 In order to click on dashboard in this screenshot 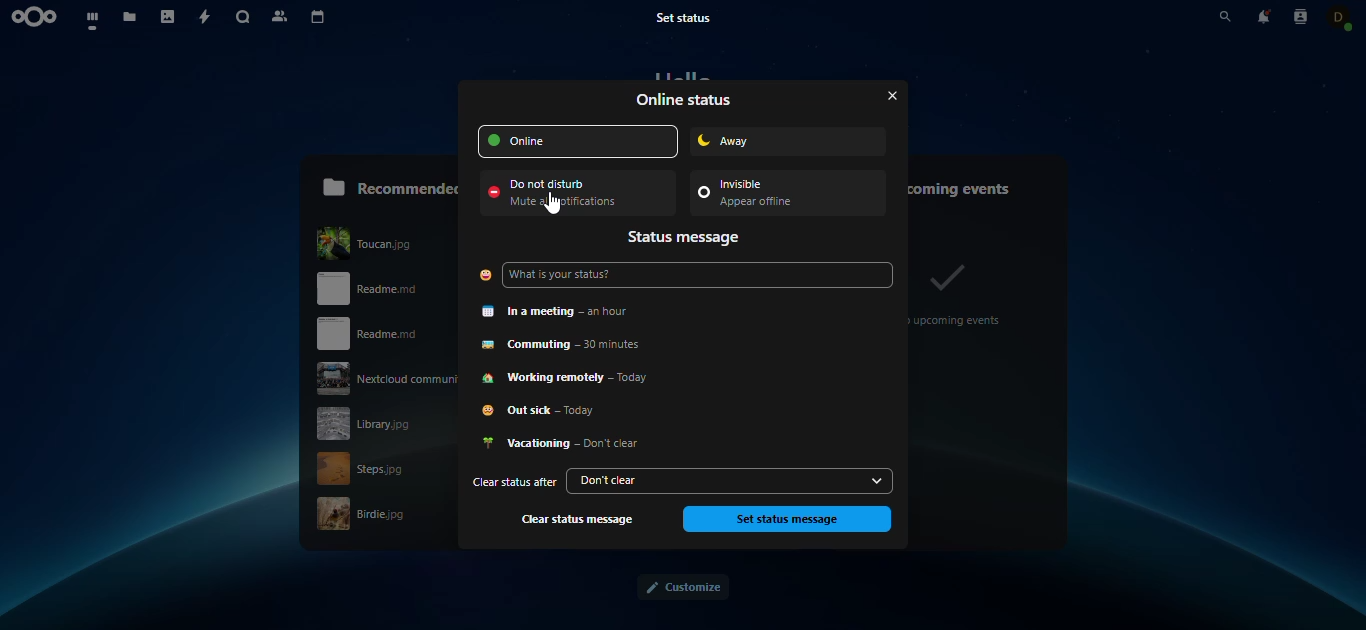, I will do `click(94, 19)`.